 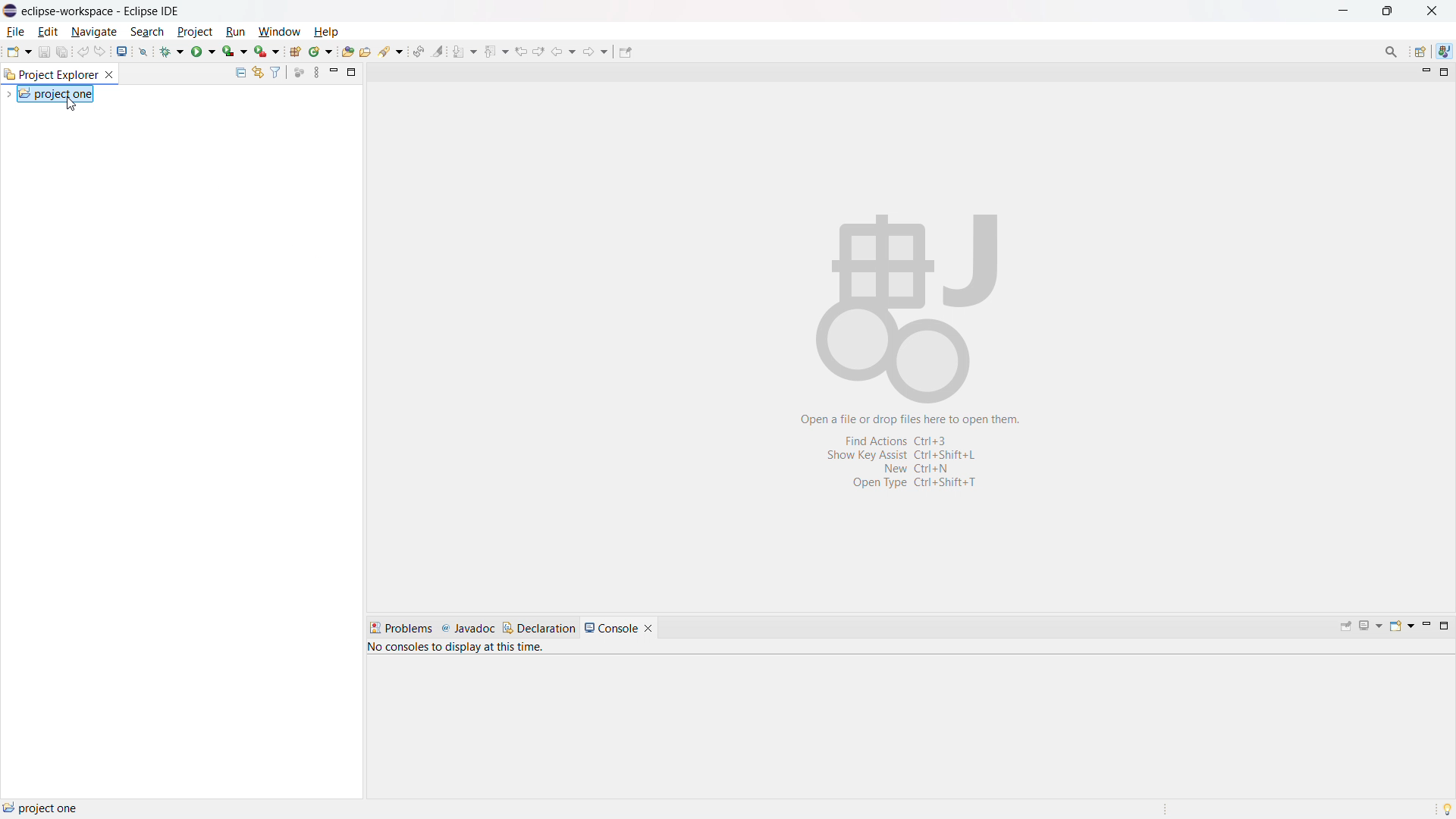 What do you see at coordinates (1424, 73) in the screenshot?
I see `minimize` at bounding box center [1424, 73].